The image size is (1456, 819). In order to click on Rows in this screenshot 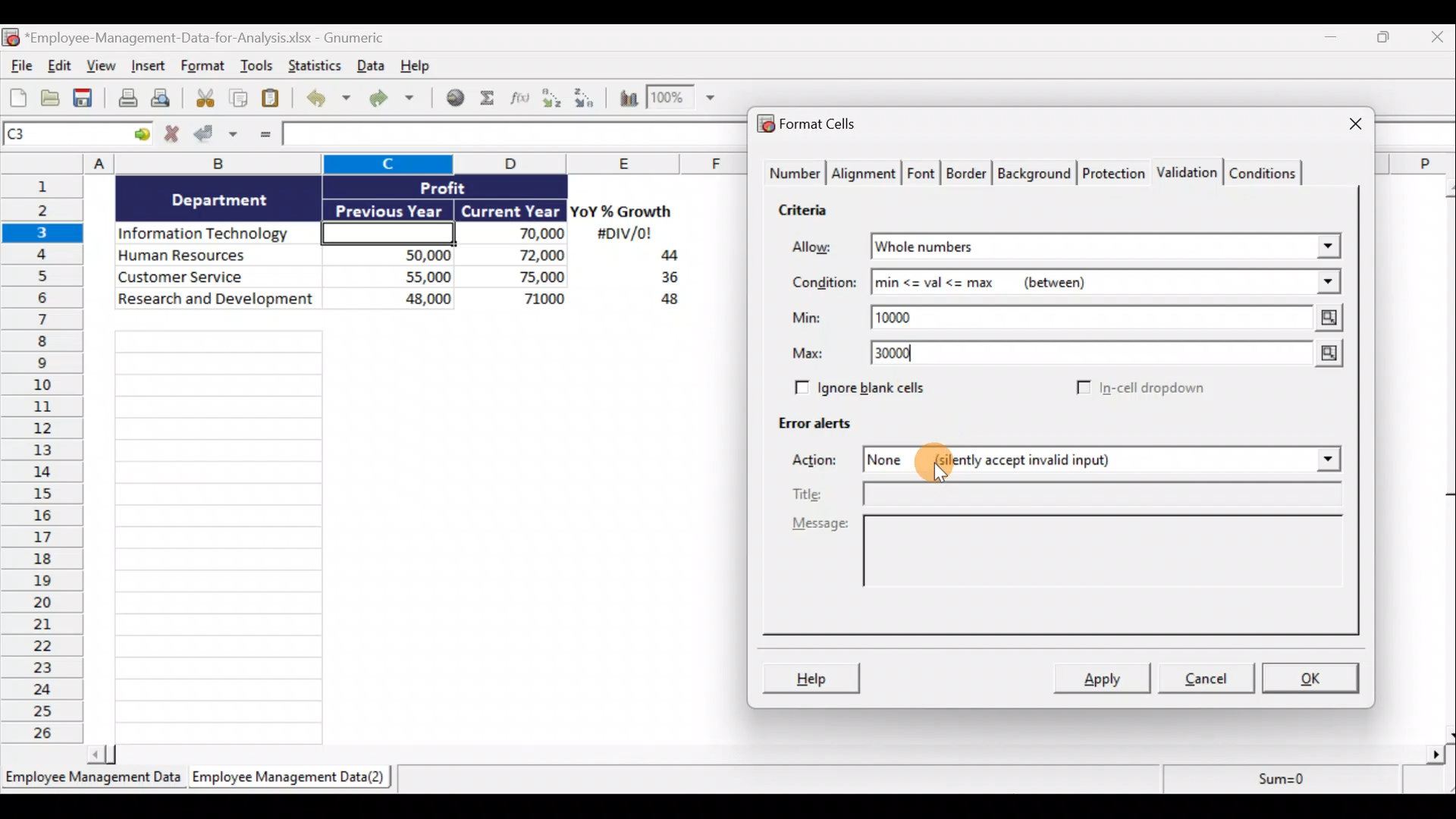, I will do `click(47, 462)`.